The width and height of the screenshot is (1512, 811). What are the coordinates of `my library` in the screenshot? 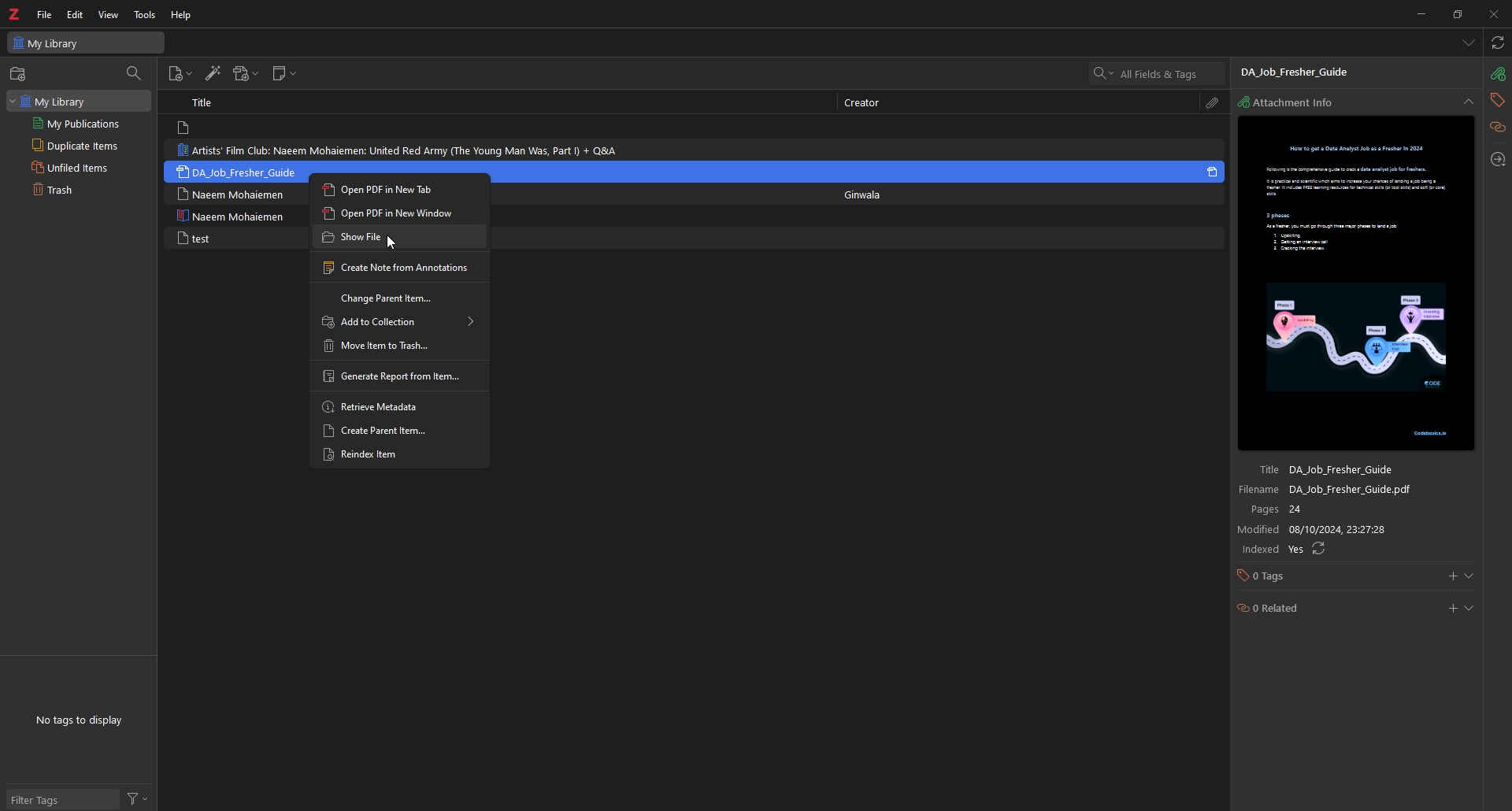 It's located at (85, 43).